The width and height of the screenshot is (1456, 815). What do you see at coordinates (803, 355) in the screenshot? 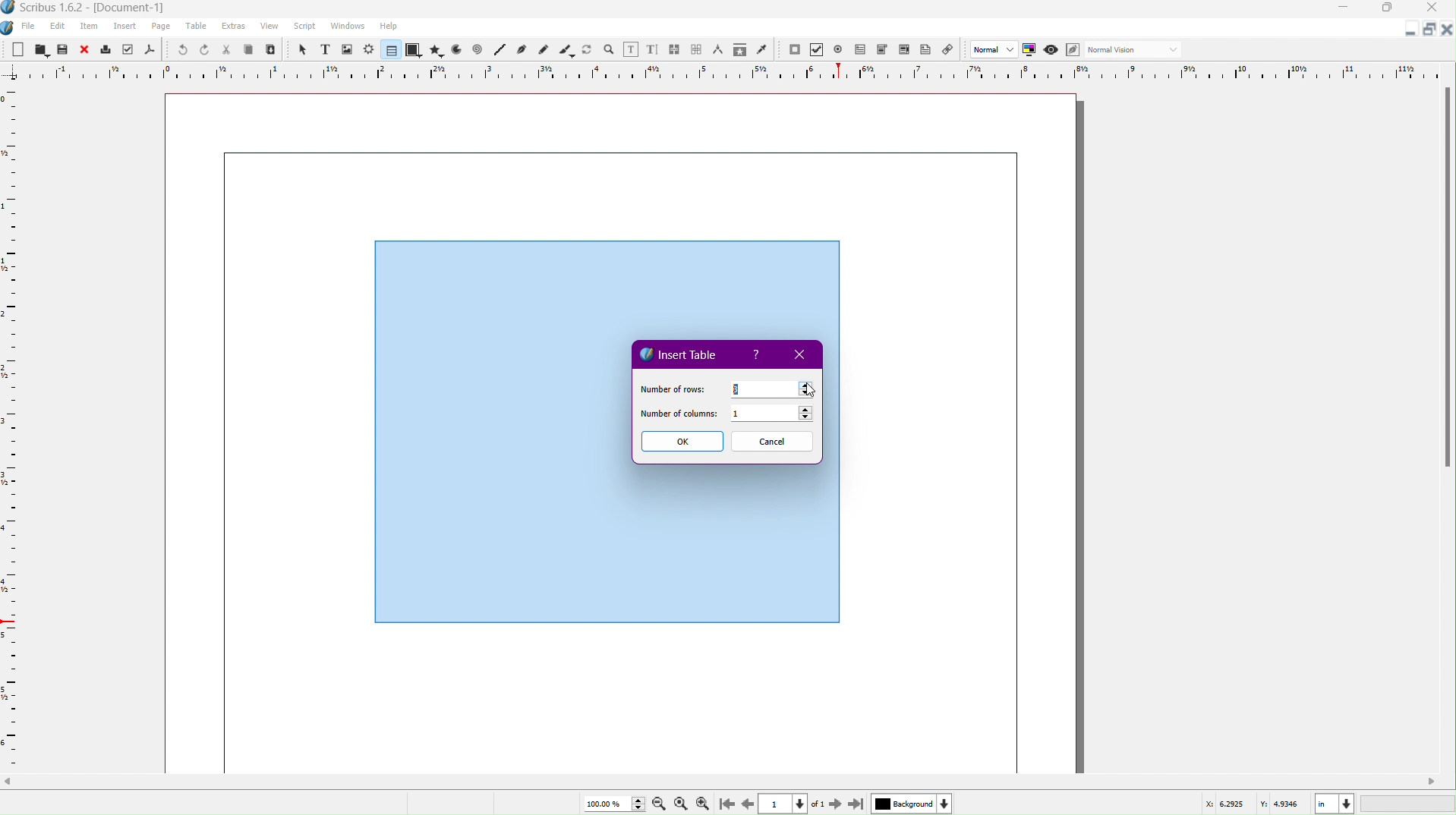
I see `Close` at bounding box center [803, 355].